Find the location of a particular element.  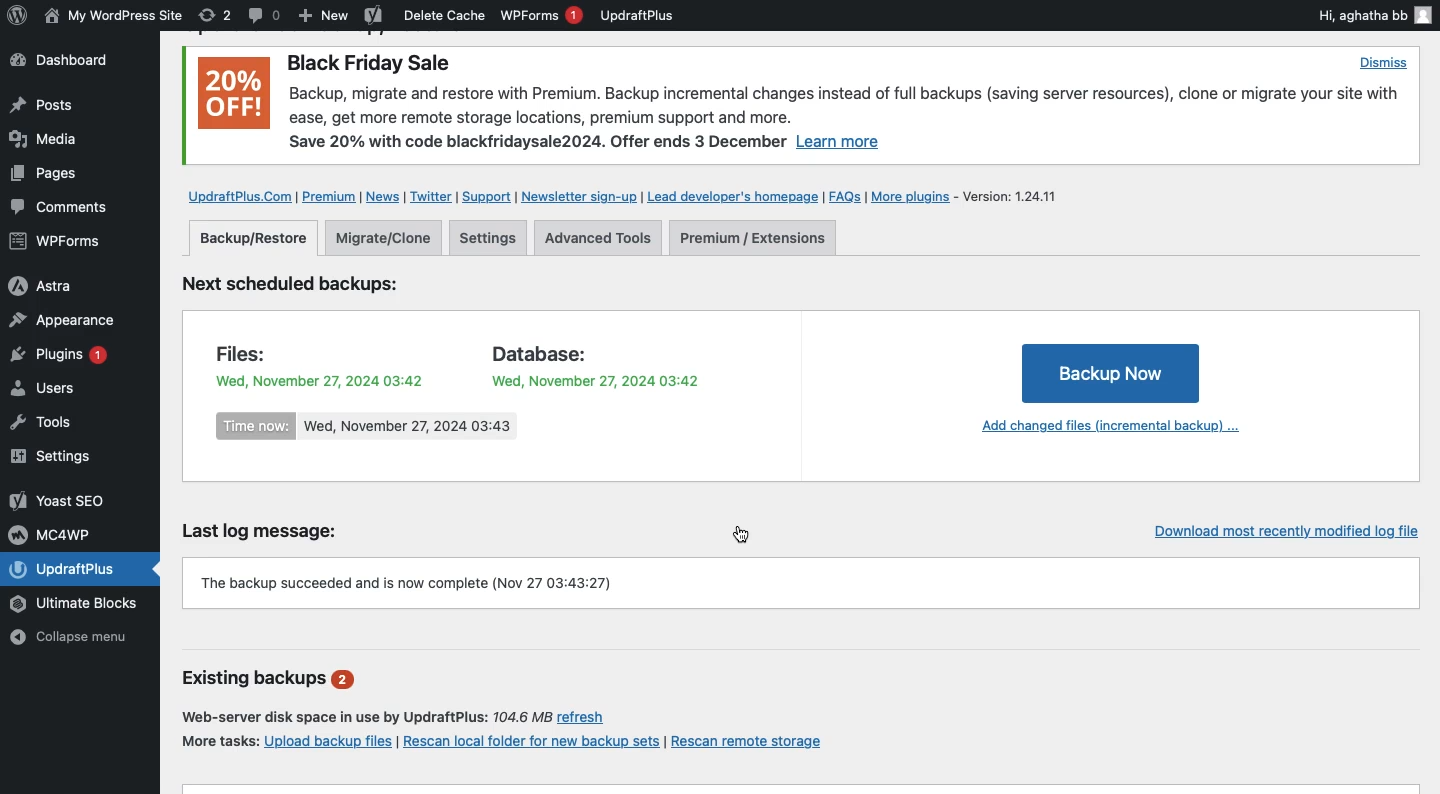

Backup/Restore is located at coordinates (255, 238).